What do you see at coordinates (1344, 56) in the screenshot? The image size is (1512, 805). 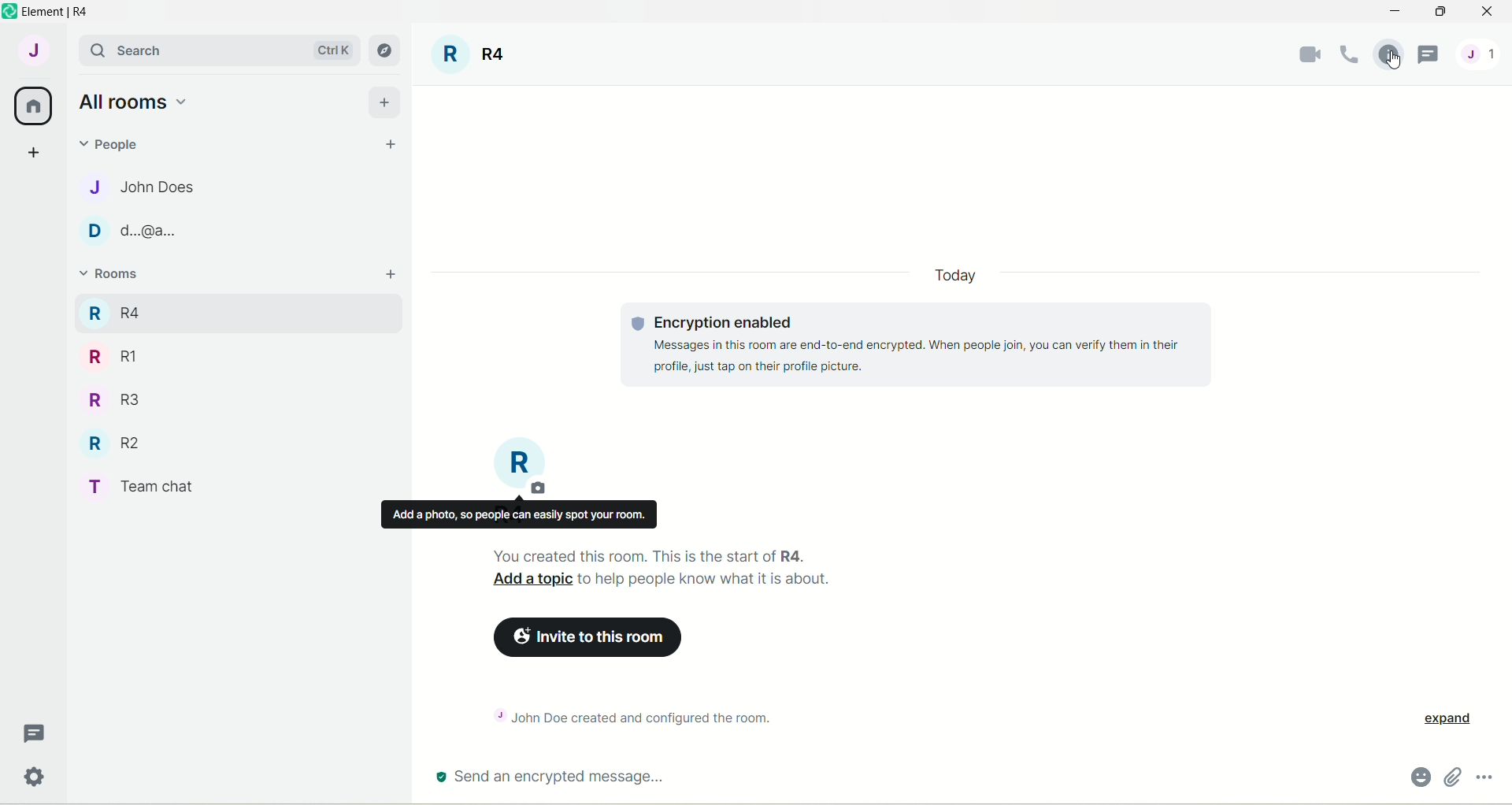 I see `voice call` at bounding box center [1344, 56].